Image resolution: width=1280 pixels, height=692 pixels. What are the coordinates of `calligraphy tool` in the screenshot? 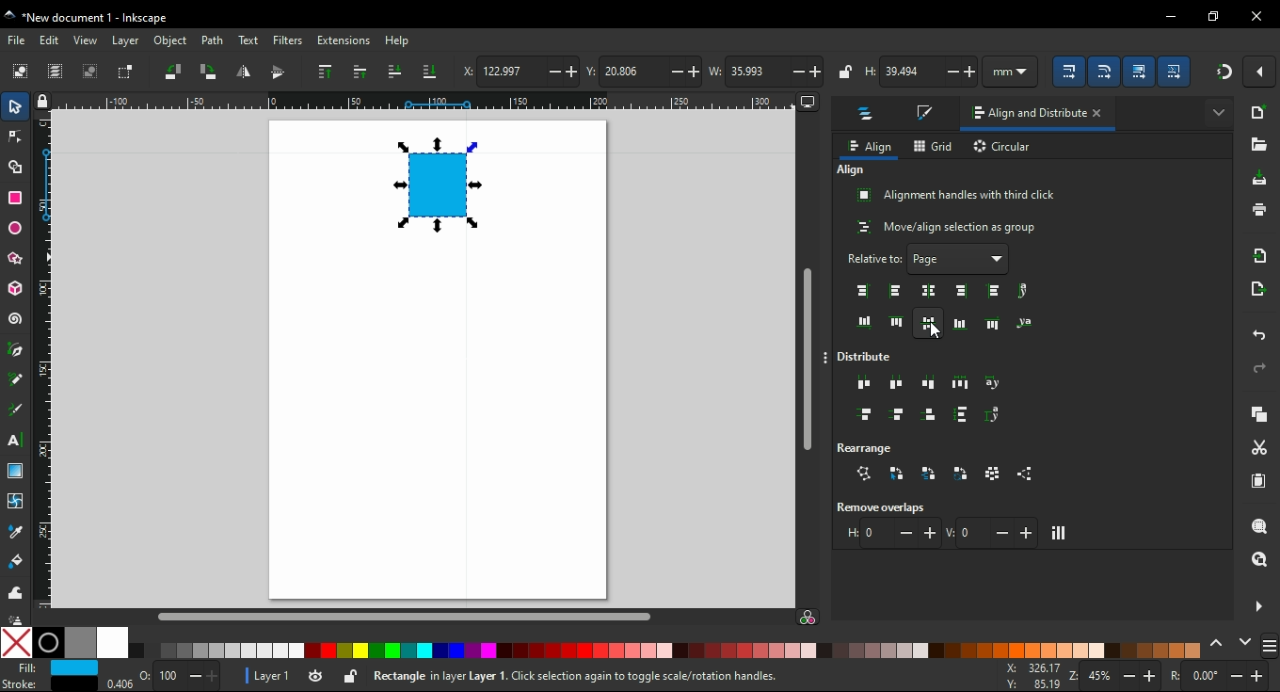 It's located at (19, 410).